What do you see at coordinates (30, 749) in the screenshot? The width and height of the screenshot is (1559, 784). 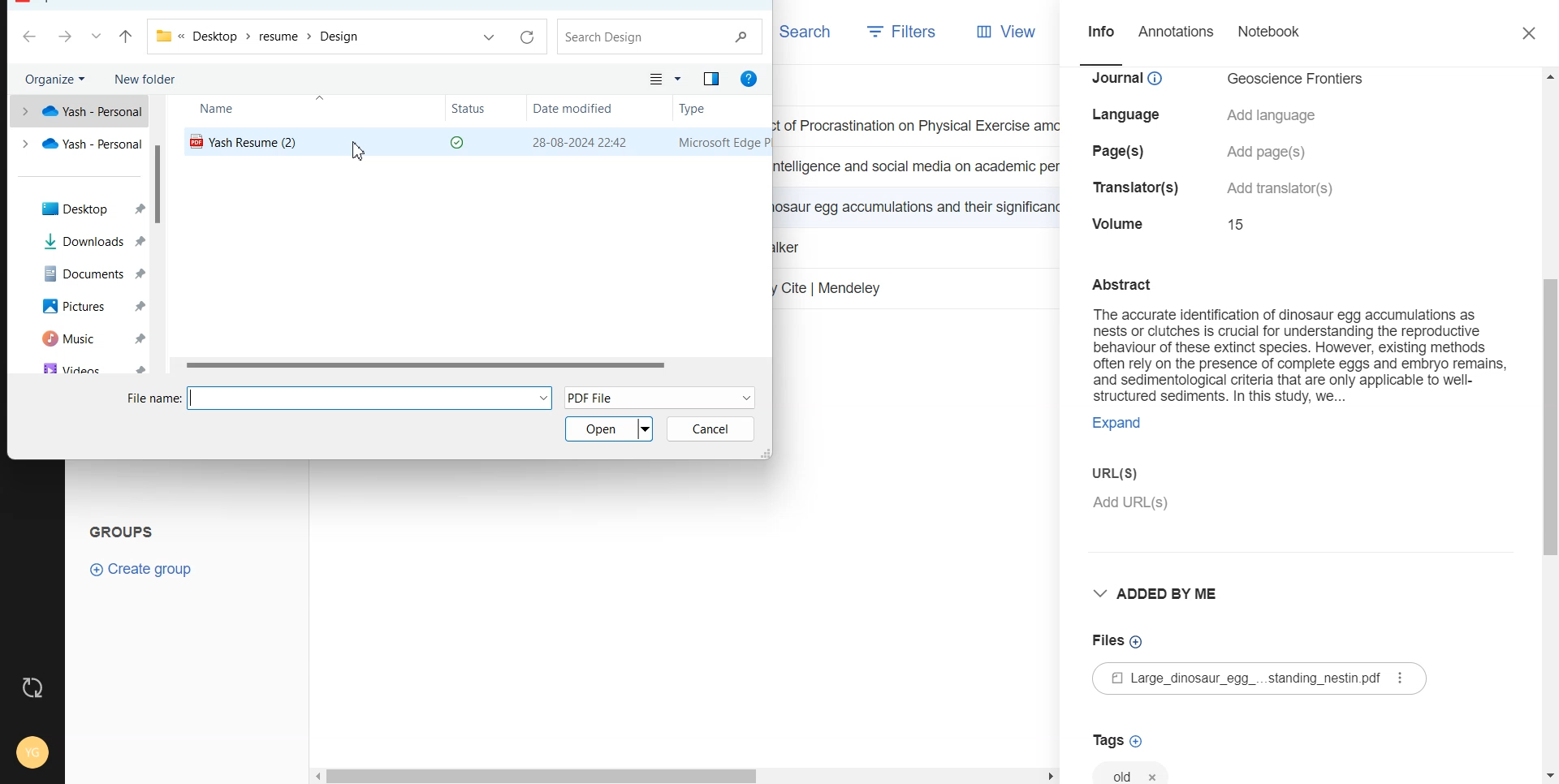 I see `Account` at bounding box center [30, 749].